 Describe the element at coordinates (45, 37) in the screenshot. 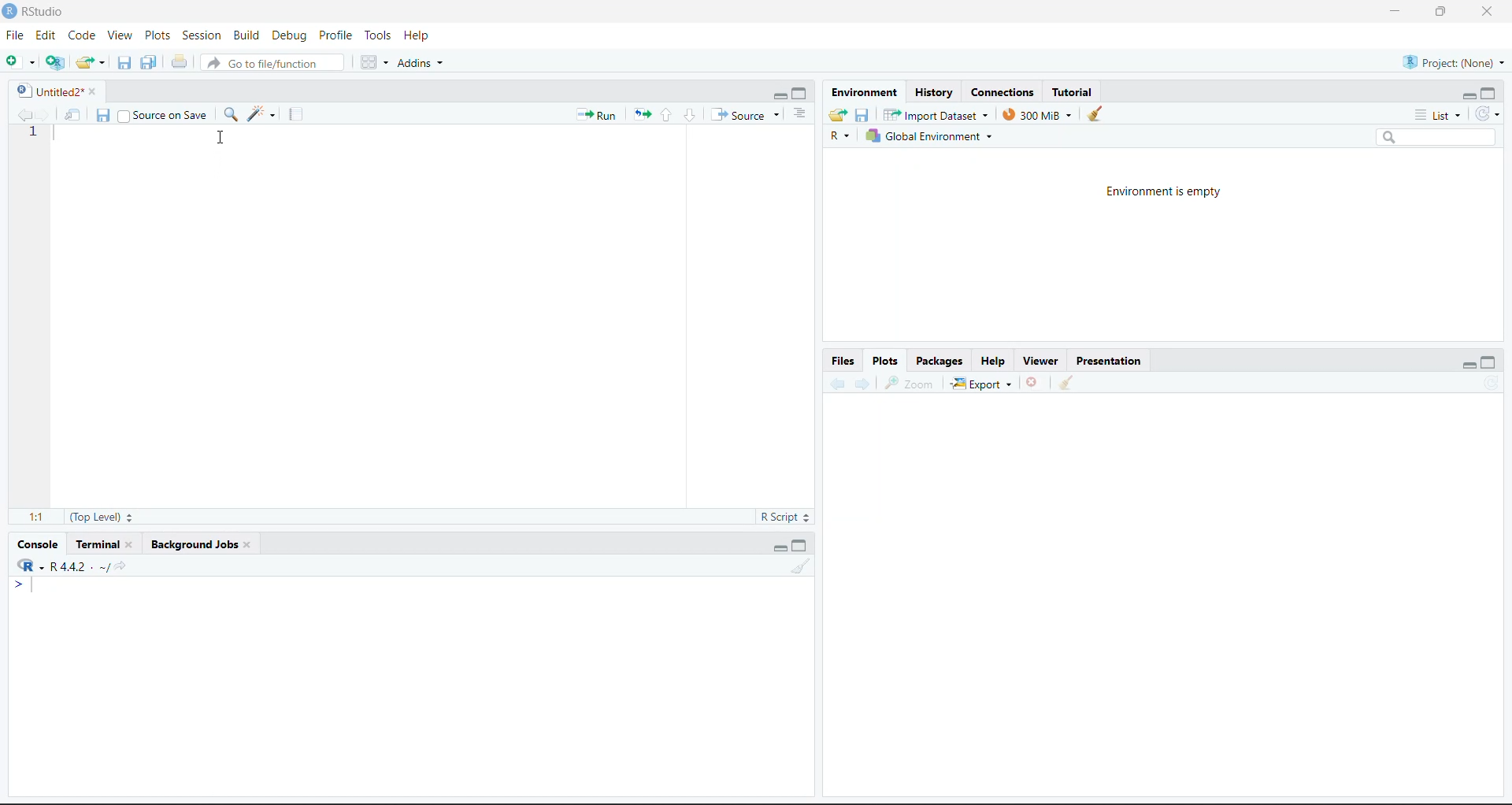

I see `Edit` at that location.